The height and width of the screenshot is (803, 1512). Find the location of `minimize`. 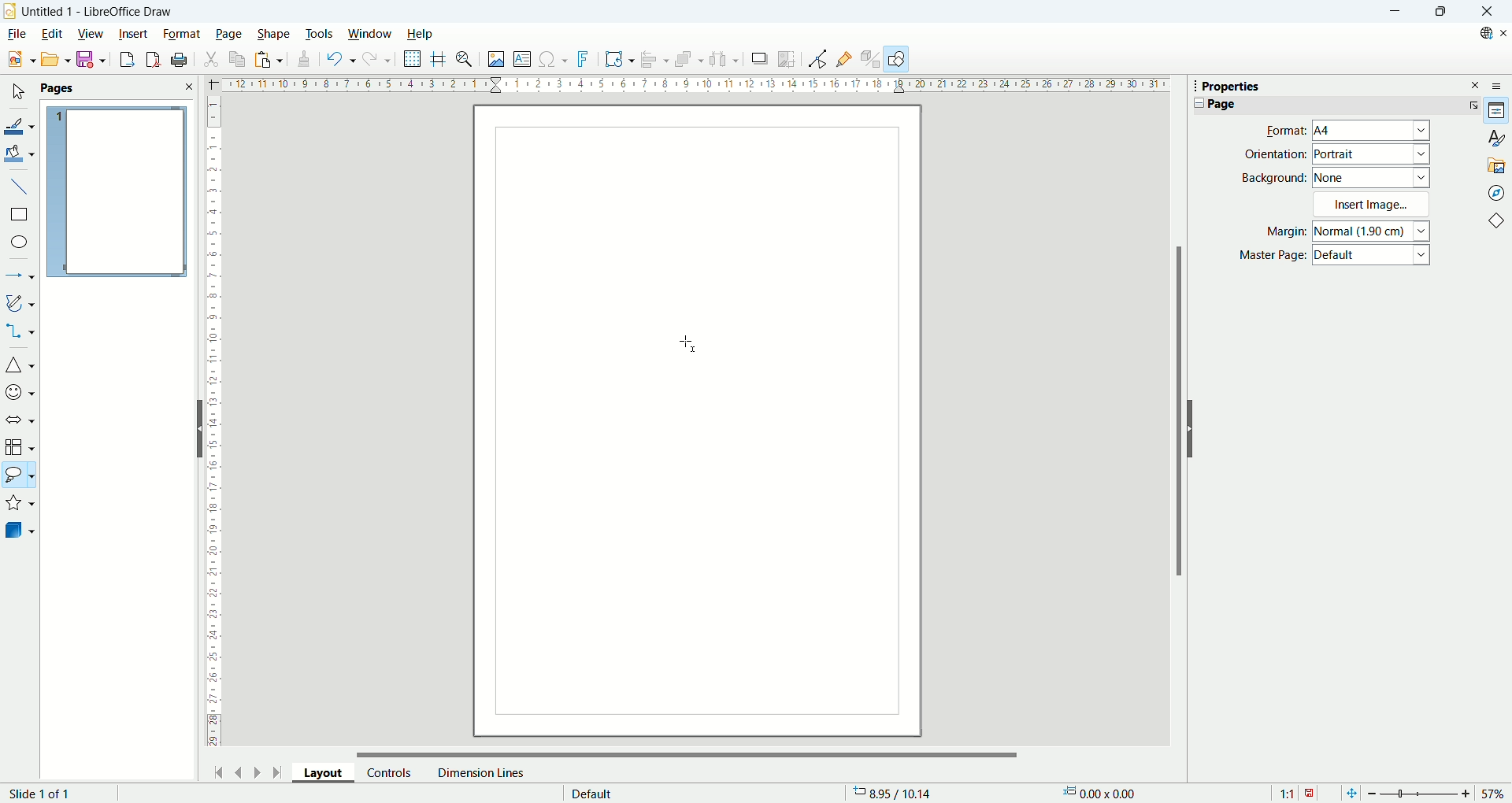

minimize is located at coordinates (1393, 12).